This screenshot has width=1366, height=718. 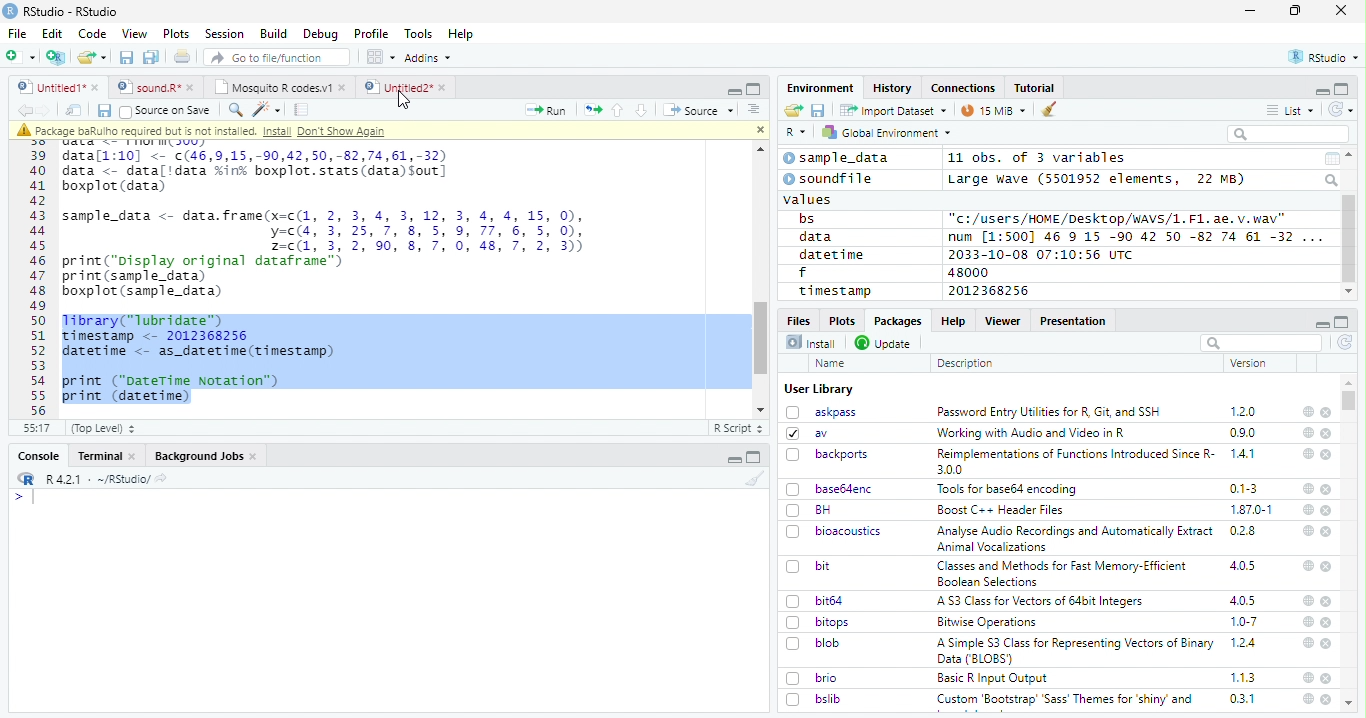 What do you see at coordinates (1321, 90) in the screenshot?
I see `minimize` at bounding box center [1321, 90].